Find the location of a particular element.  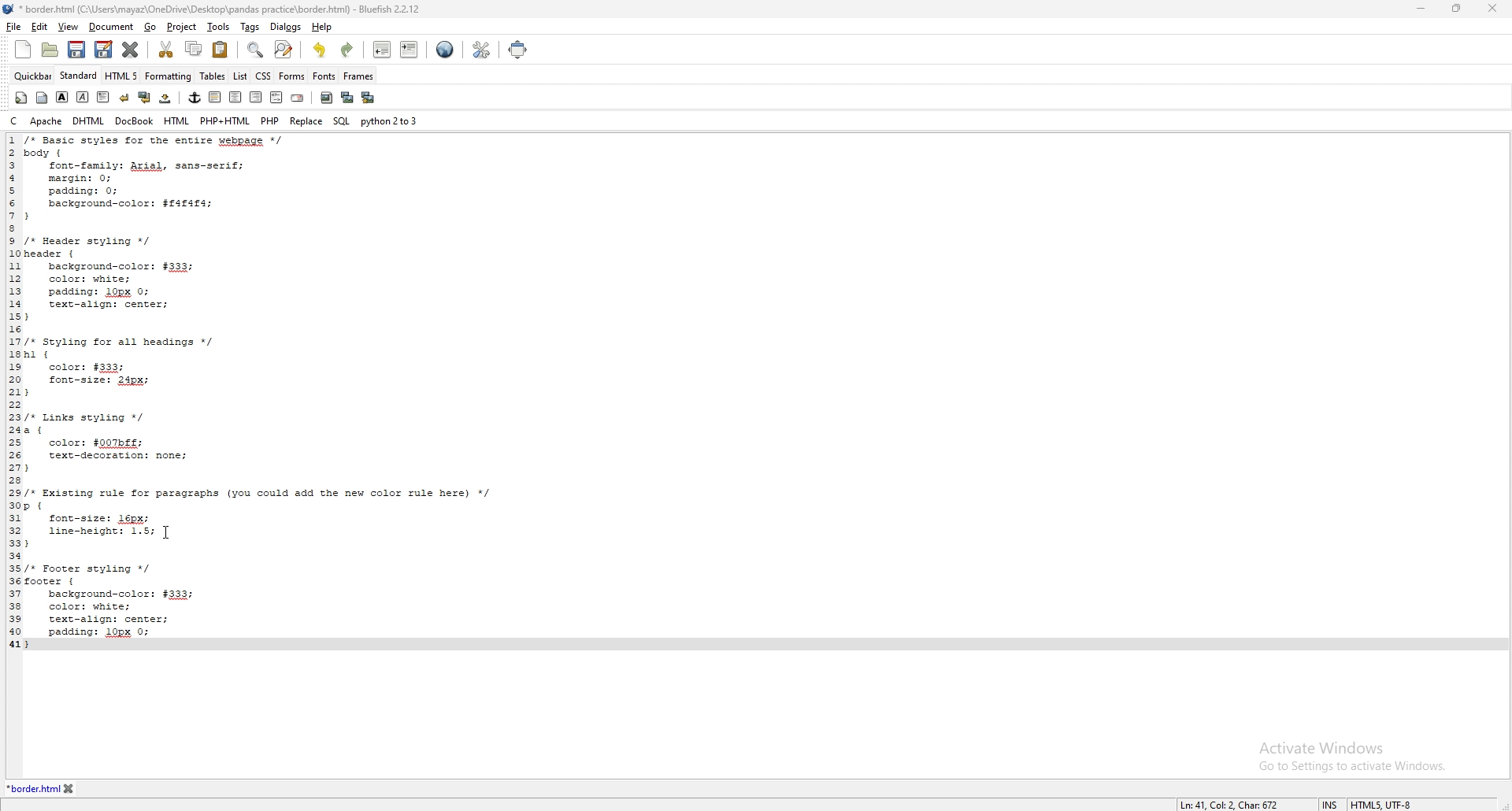

paragraph is located at coordinates (102, 96).